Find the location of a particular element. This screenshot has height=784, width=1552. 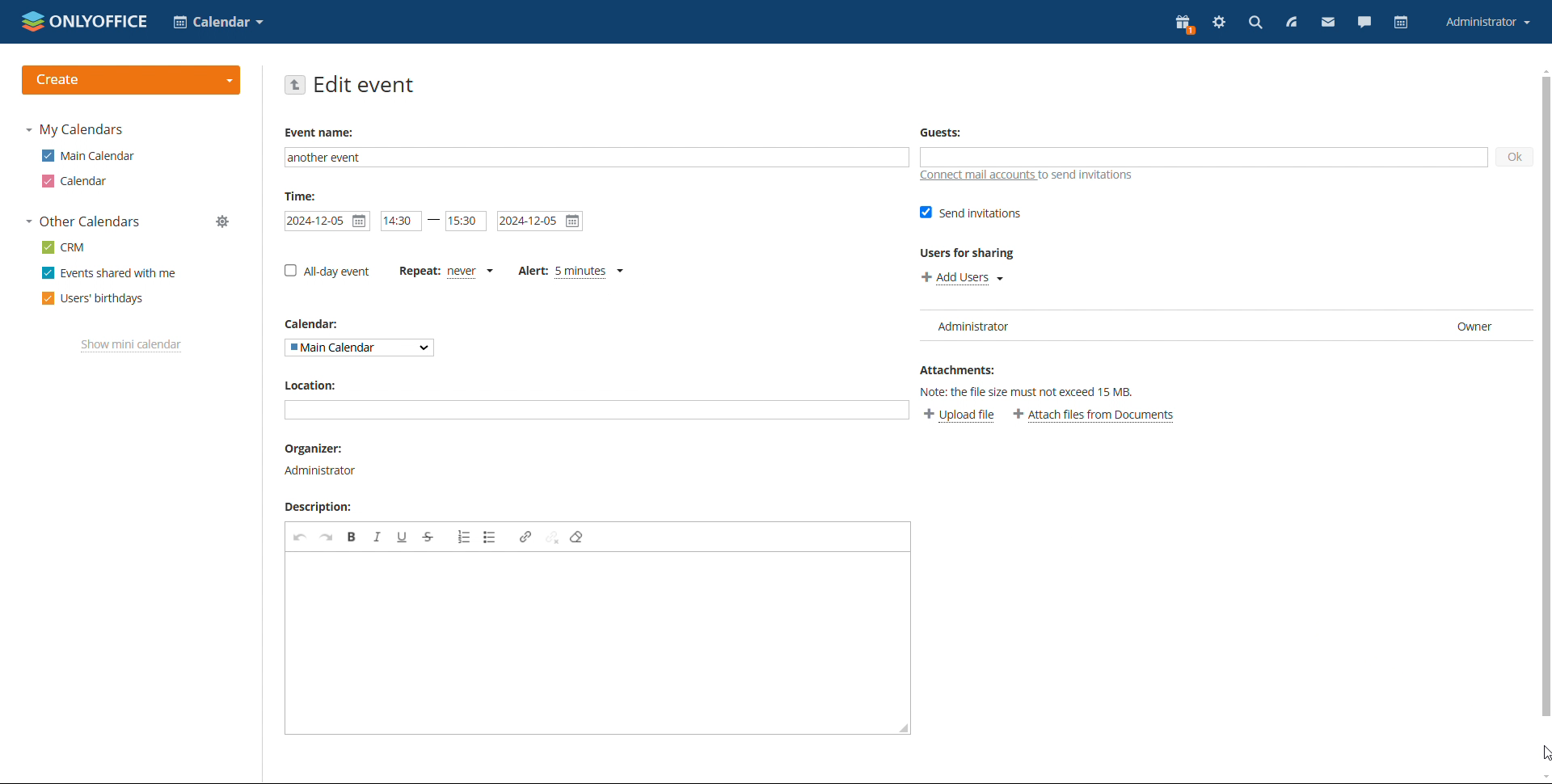

user list is located at coordinates (1223, 327).